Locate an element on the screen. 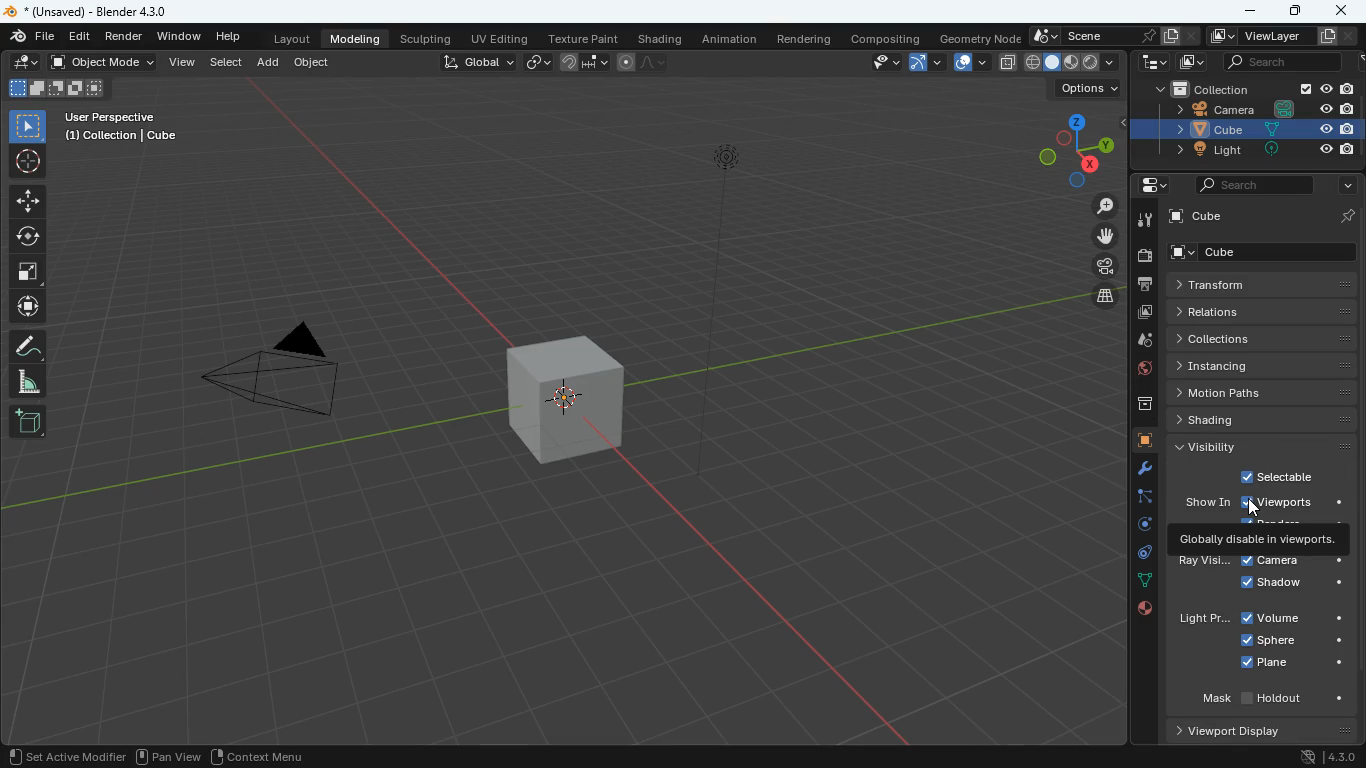 This screenshot has height=768, width=1366. viewlayer is located at coordinates (1280, 36).